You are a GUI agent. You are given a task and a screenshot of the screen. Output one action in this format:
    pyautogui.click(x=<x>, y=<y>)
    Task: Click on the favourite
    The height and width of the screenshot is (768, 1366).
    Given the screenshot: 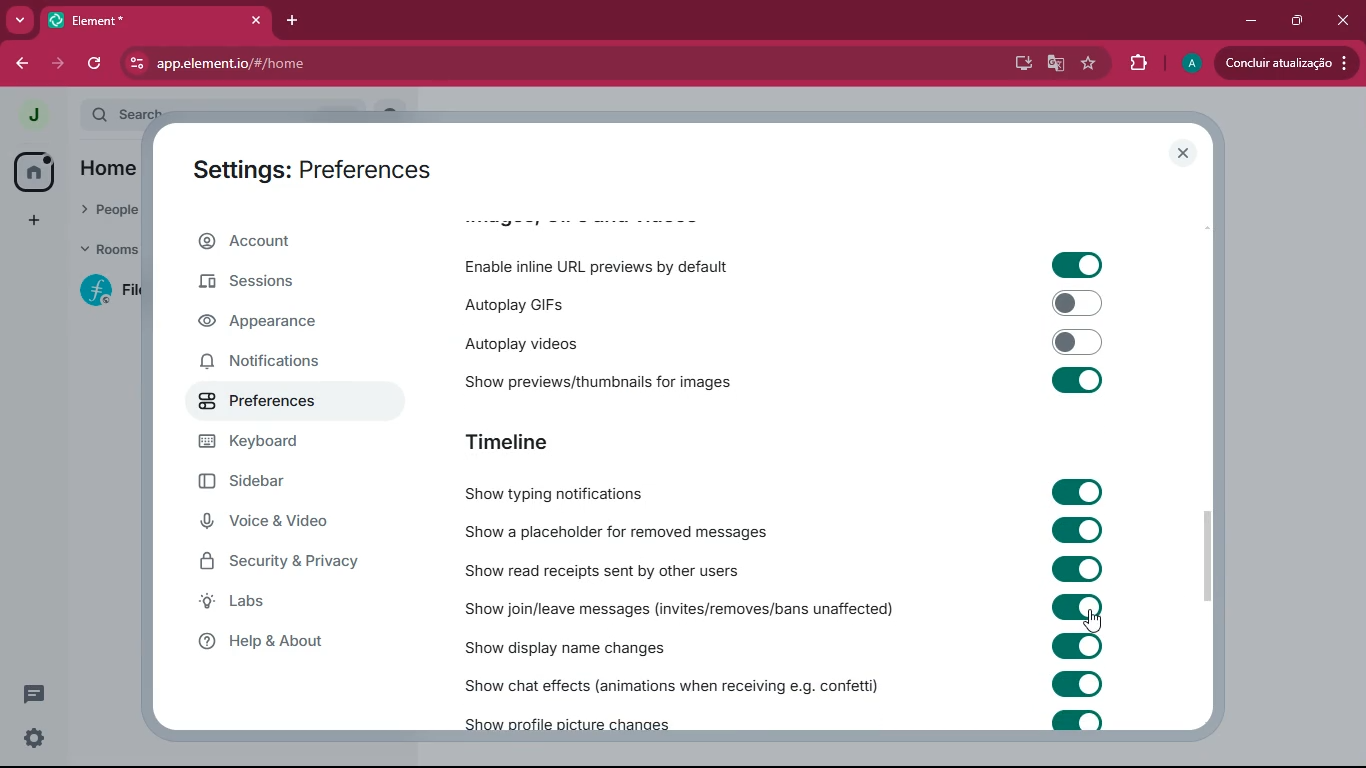 What is the action you would take?
    pyautogui.click(x=1091, y=67)
    